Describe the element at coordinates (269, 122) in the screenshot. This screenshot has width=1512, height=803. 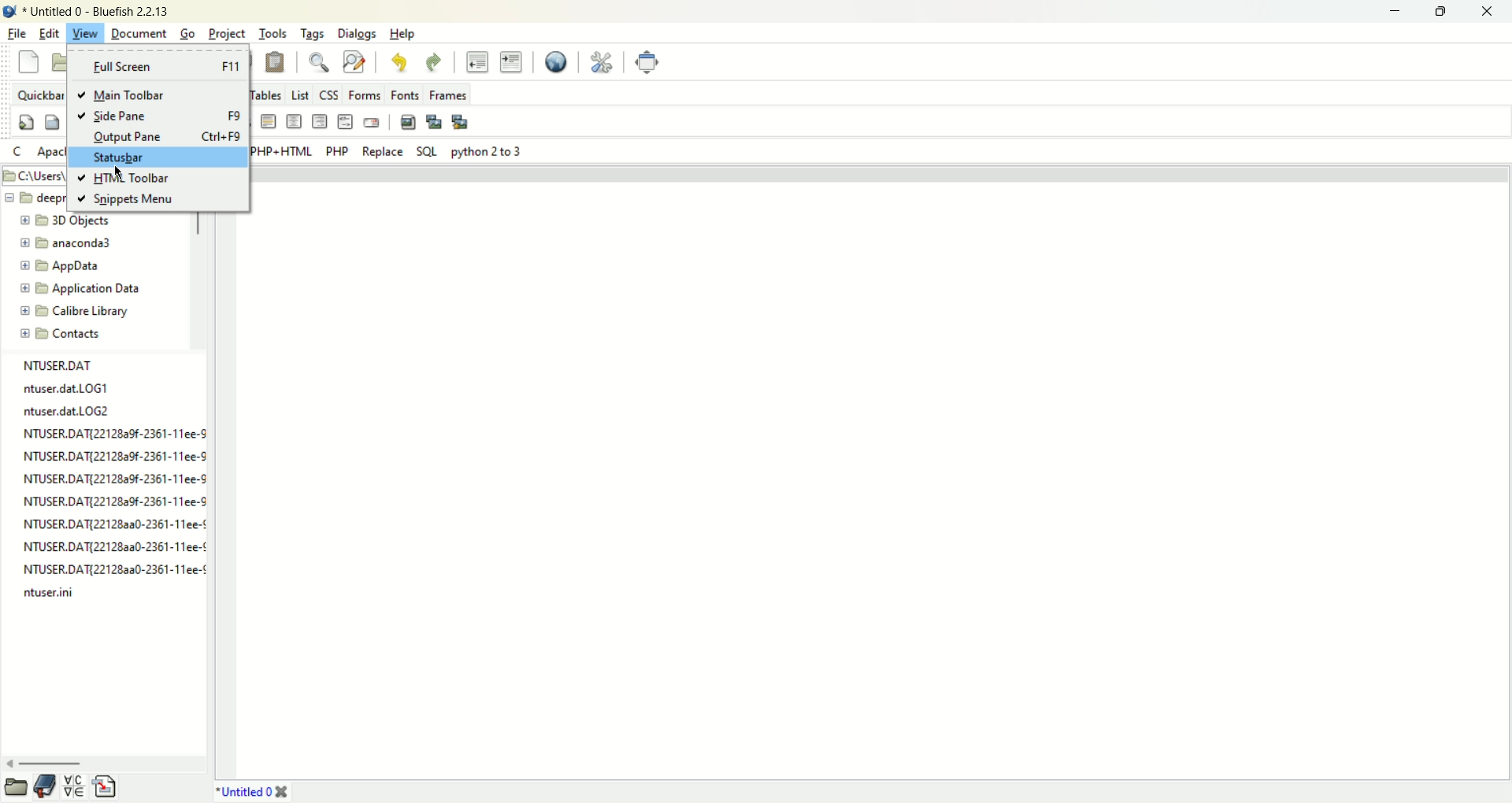
I see `horizontal rule` at that location.